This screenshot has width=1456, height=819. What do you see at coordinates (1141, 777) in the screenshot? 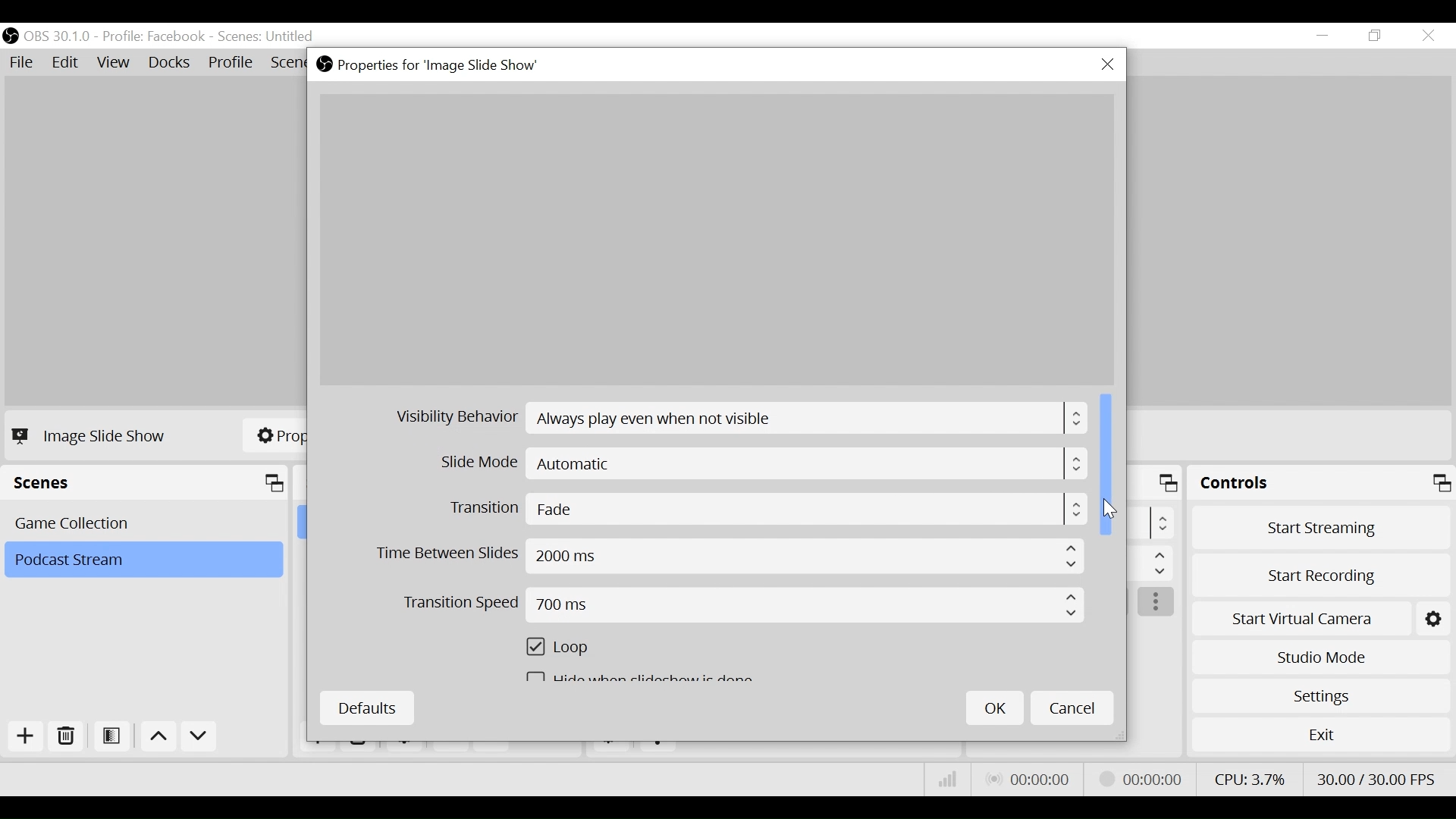
I see `Stream Status` at bounding box center [1141, 777].